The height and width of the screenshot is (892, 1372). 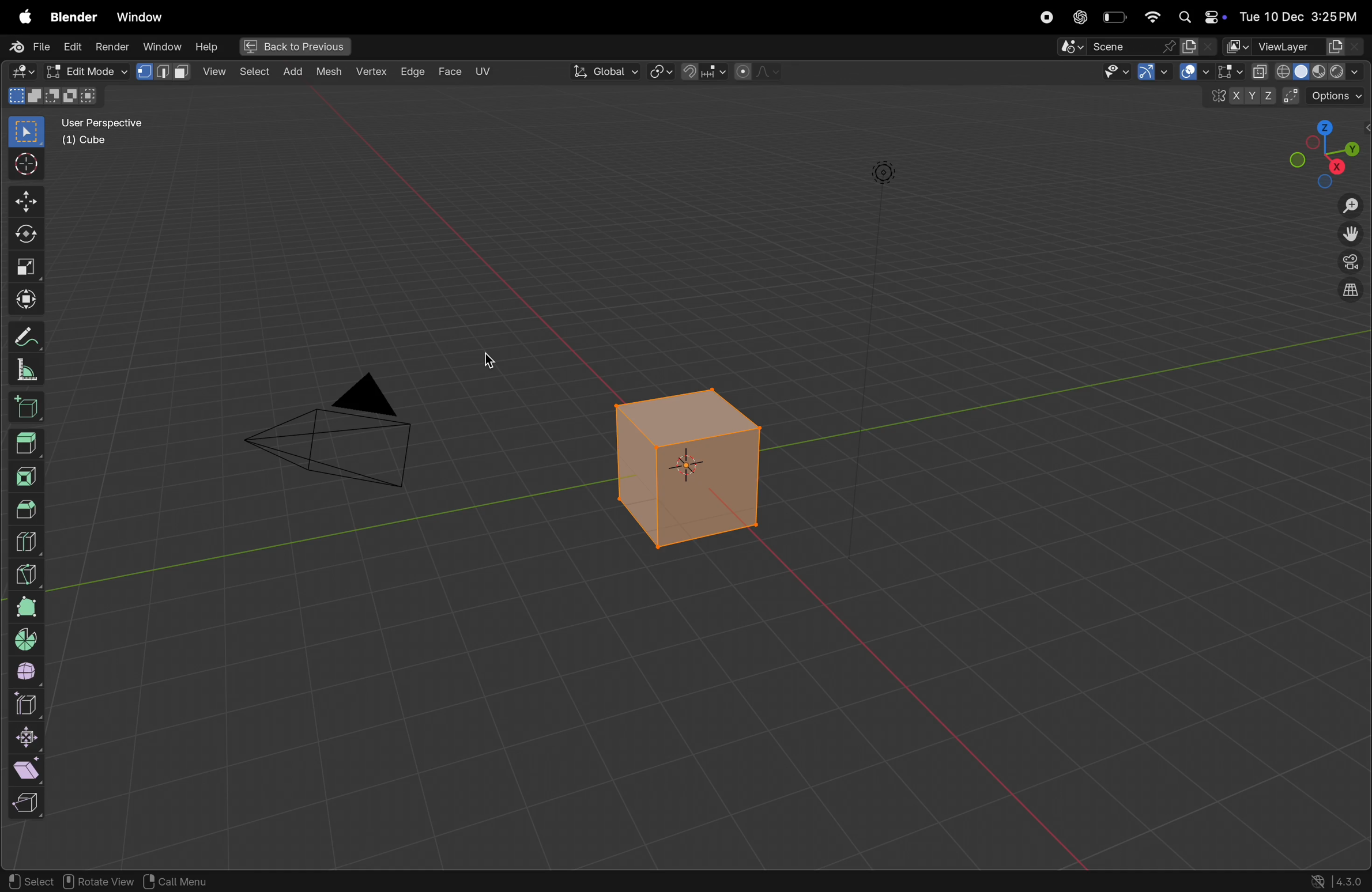 What do you see at coordinates (499, 365) in the screenshot?
I see `cursor` at bounding box center [499, 365].